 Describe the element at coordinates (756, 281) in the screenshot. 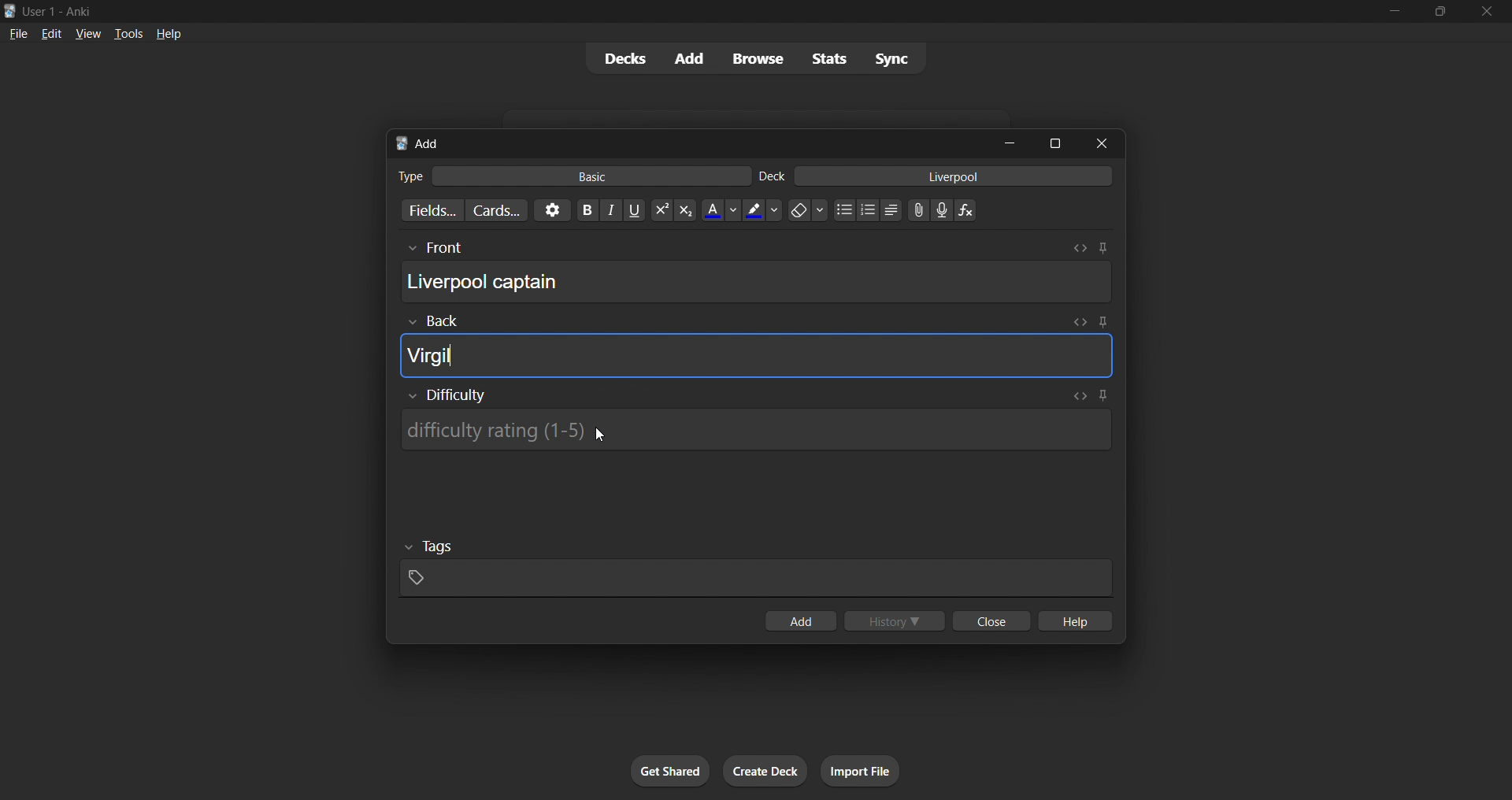

I see `card front field input box` at that location.